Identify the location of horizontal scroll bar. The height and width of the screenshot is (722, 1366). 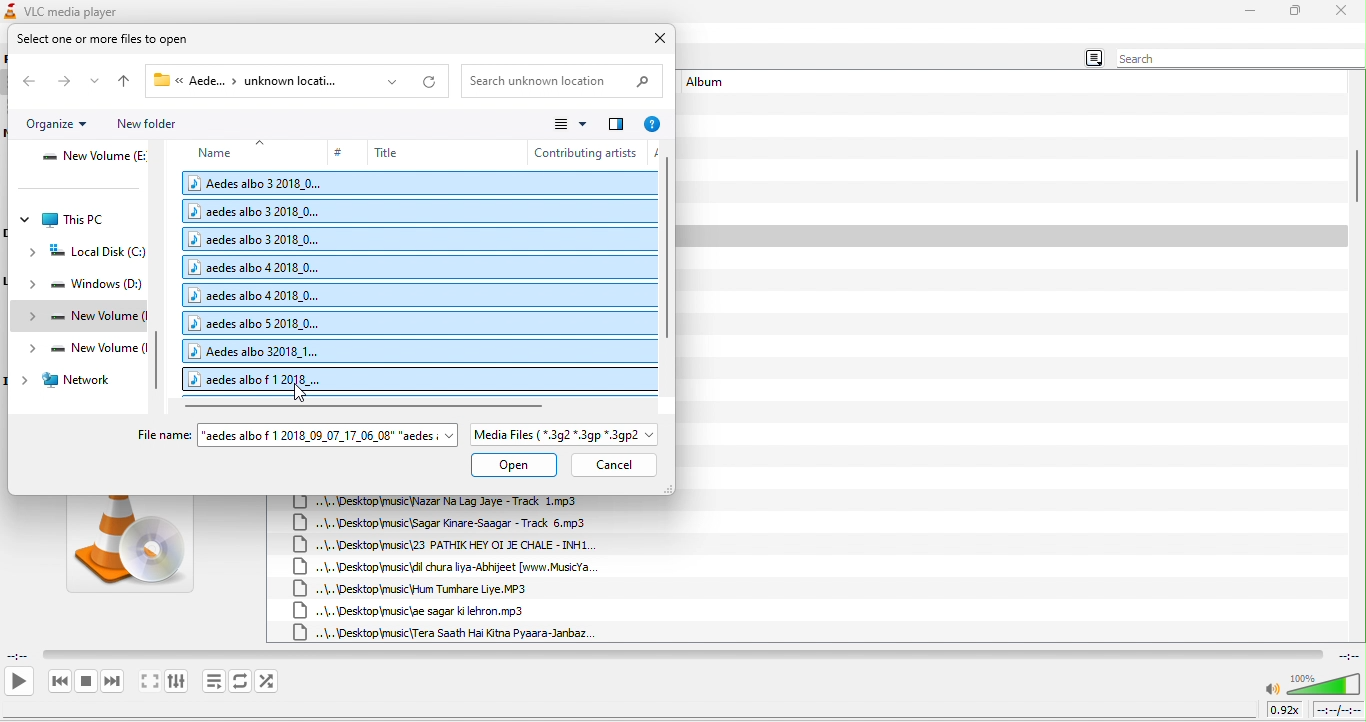
(367, 405).